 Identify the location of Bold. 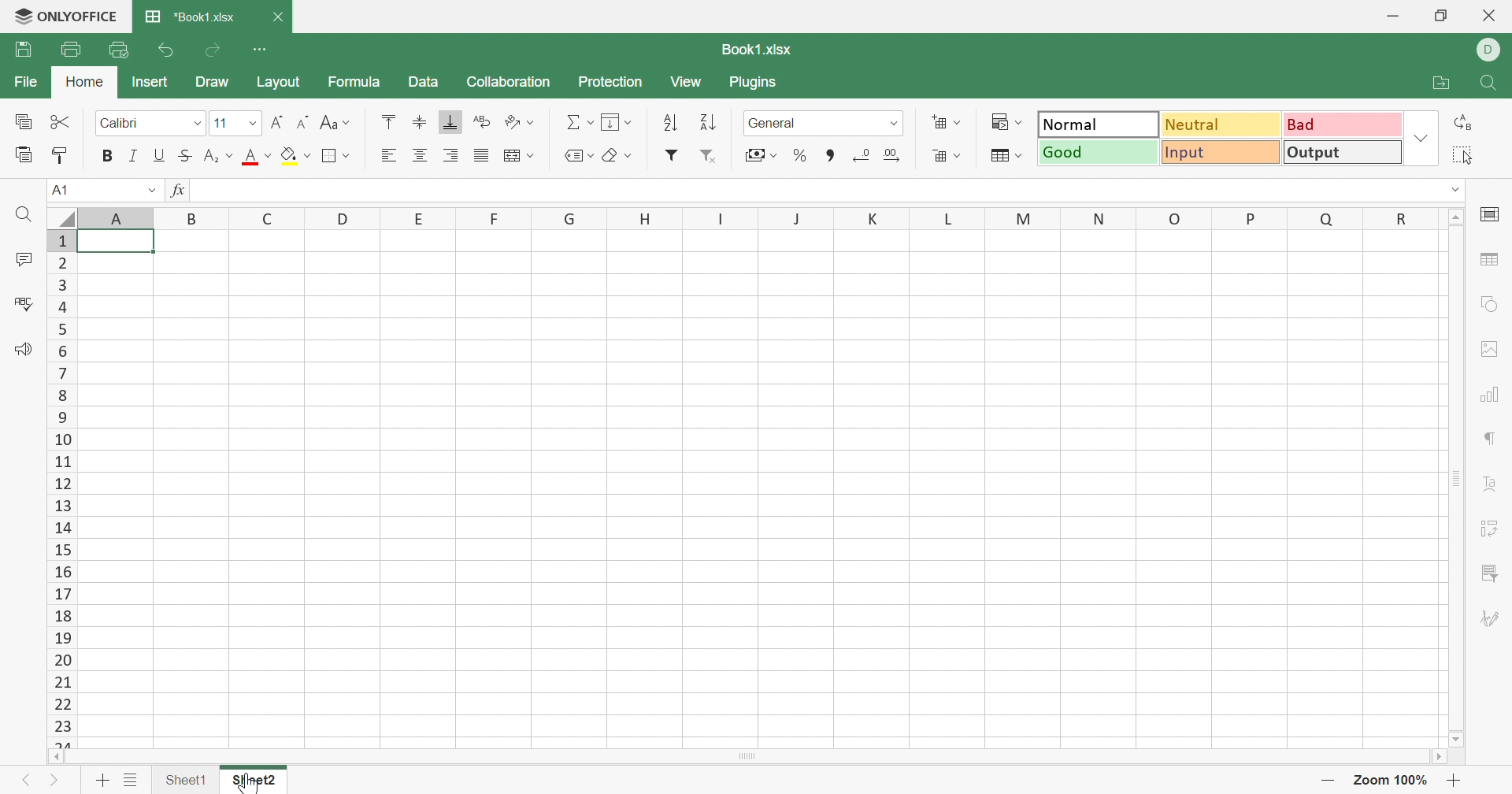
(109, 155).